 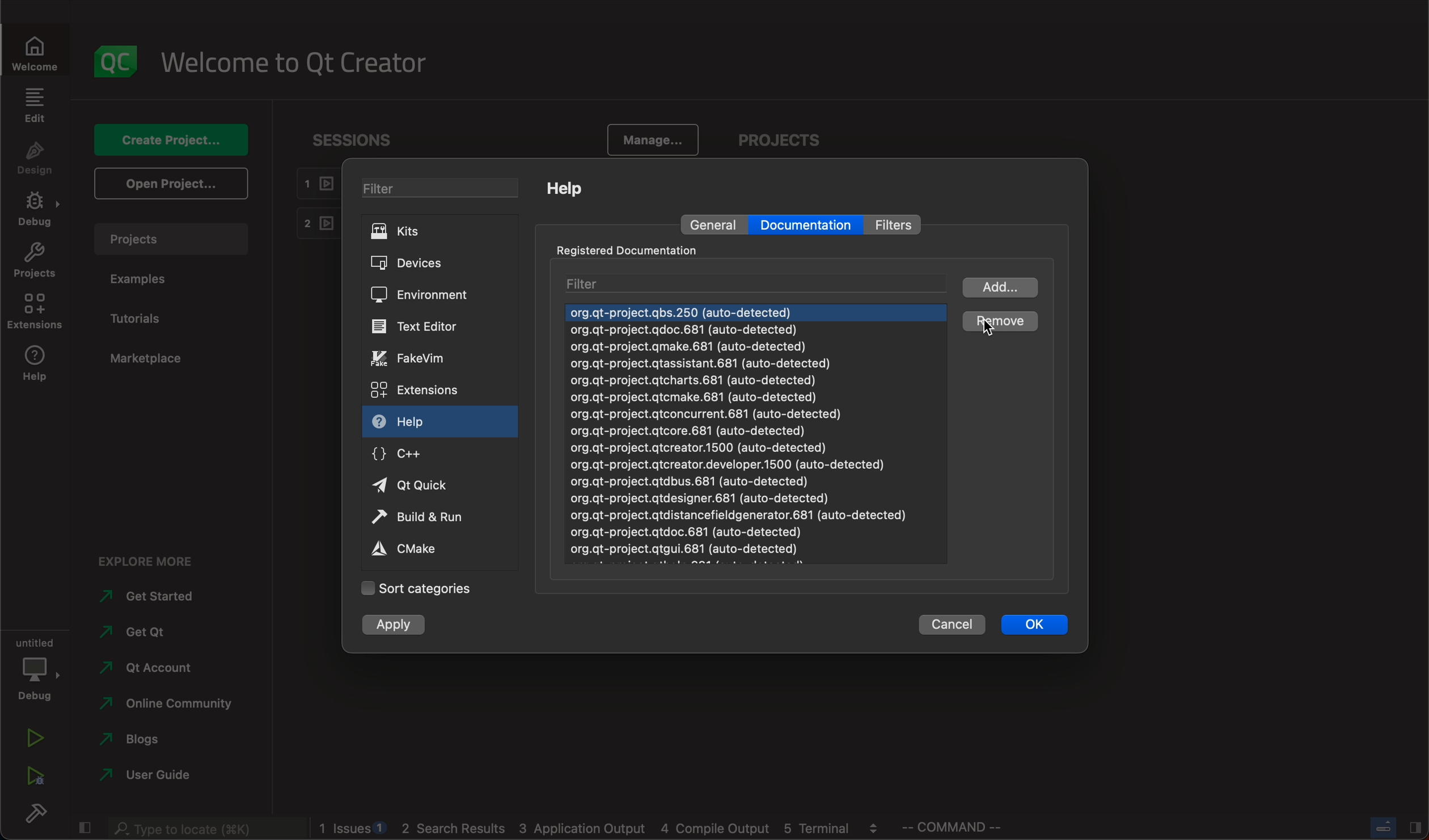 I want to click on cursor, so click(x=1000, y=325).